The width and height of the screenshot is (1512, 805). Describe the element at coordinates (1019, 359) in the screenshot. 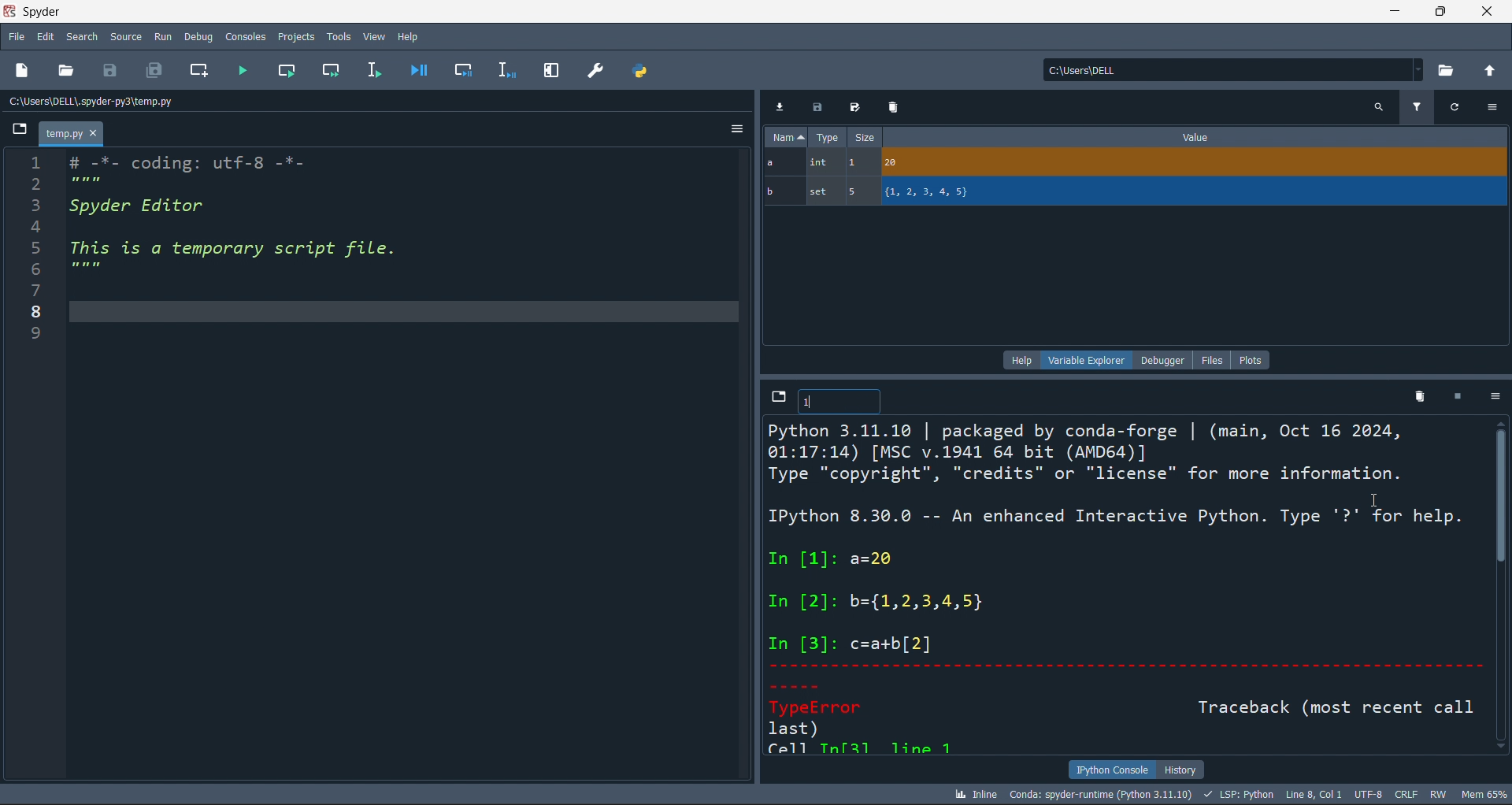

I see `help` at that location.